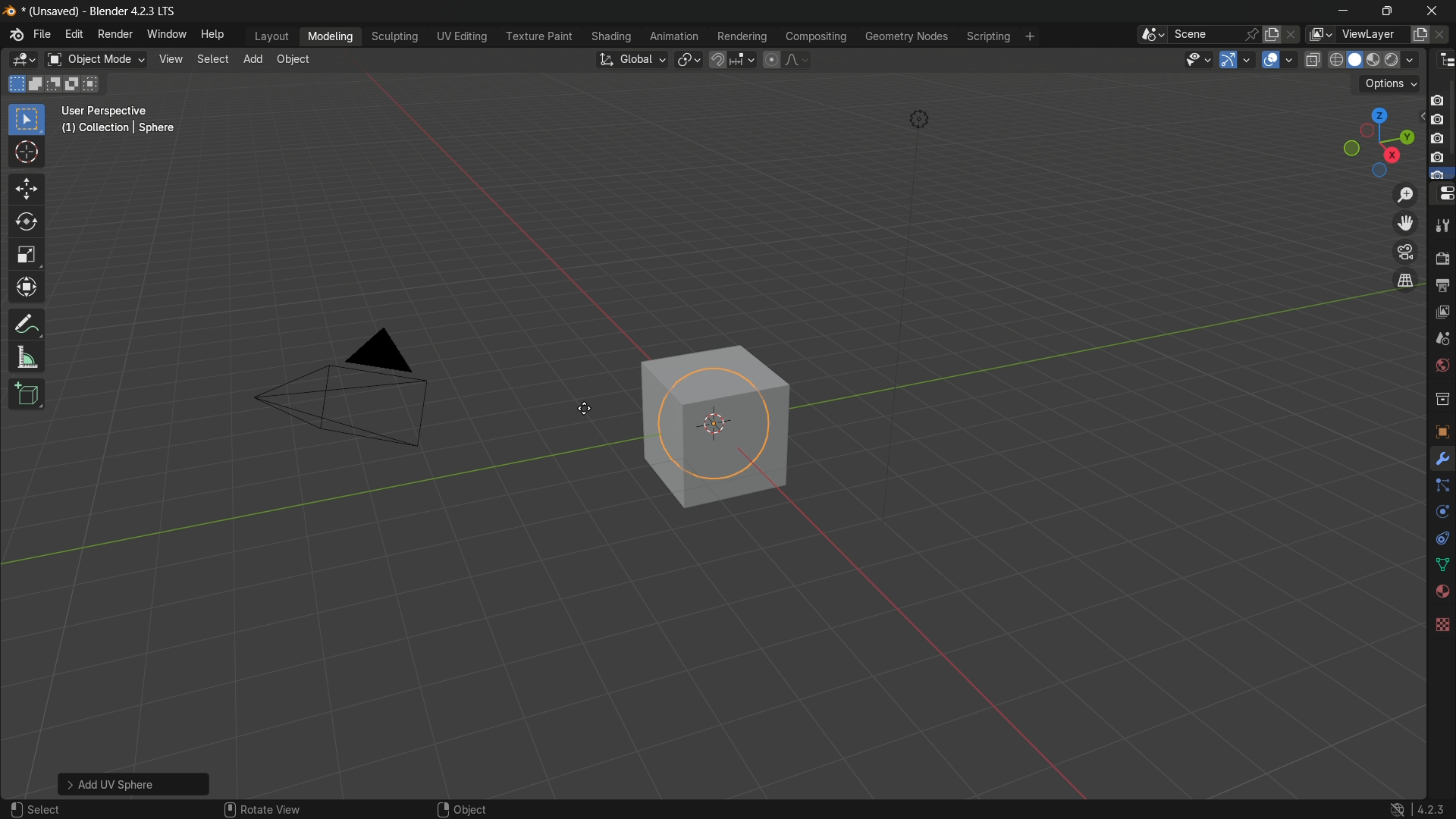 Image resolution: width=1456 pixels, height=819 pixels. What do you see at coordinates (1389, 12) in the screenshot?
I see `maximize or restore` at bounding box center [1389, 12].